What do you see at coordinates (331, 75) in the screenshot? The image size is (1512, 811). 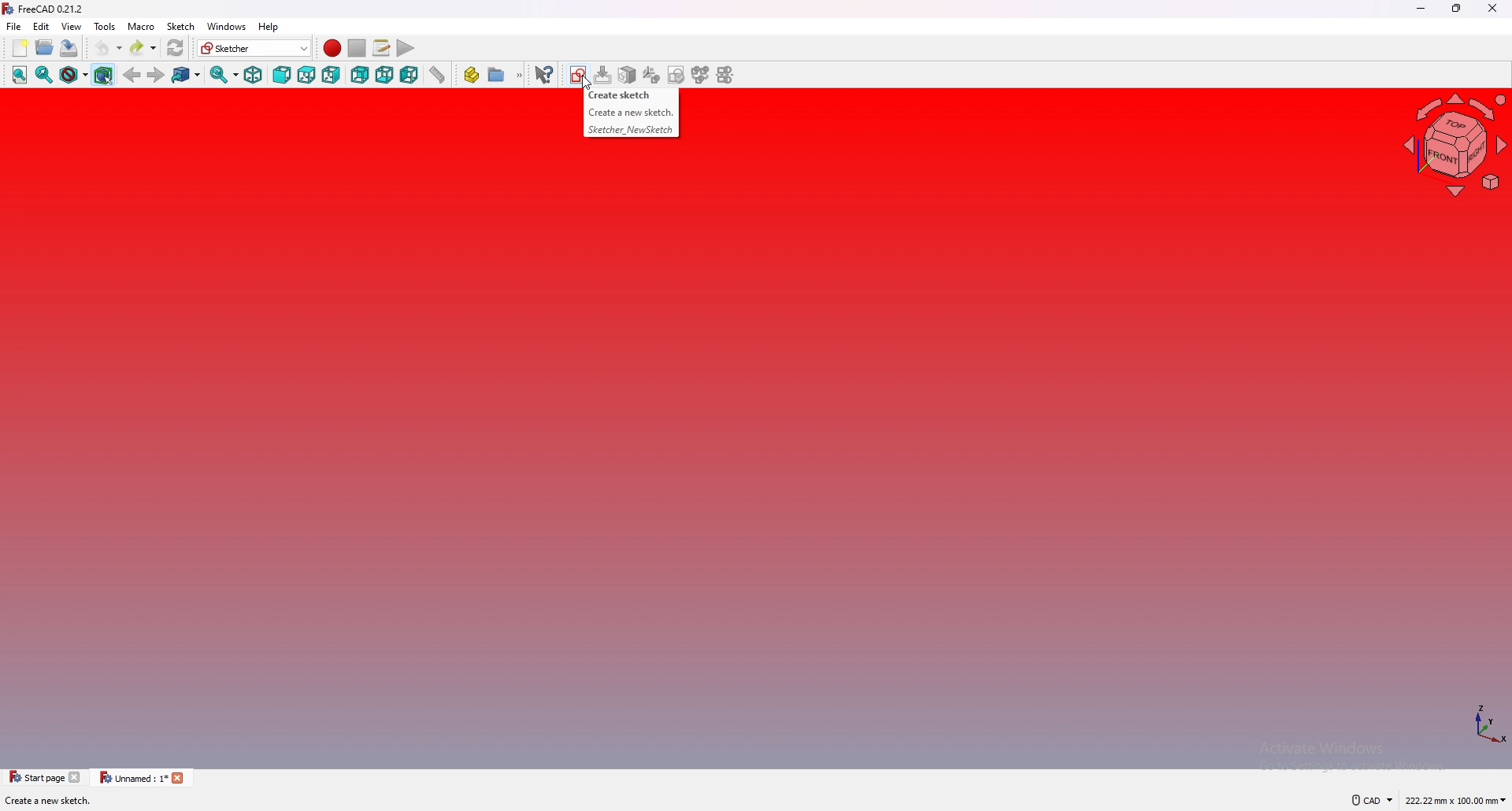 I see `right` at bounding box center [331, 75].